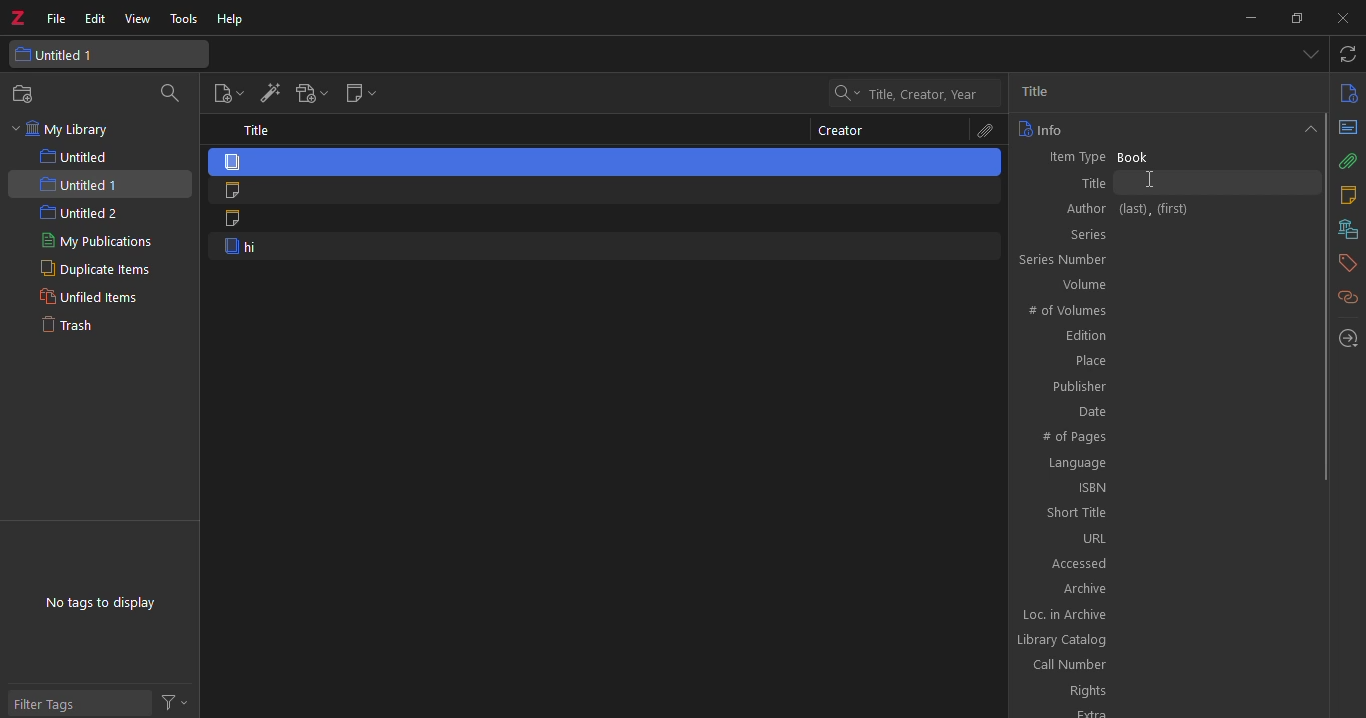  What do you see at coordinates (1347, 195) in the screenshot?
I see `notes` at bounding box center [1347, 195].